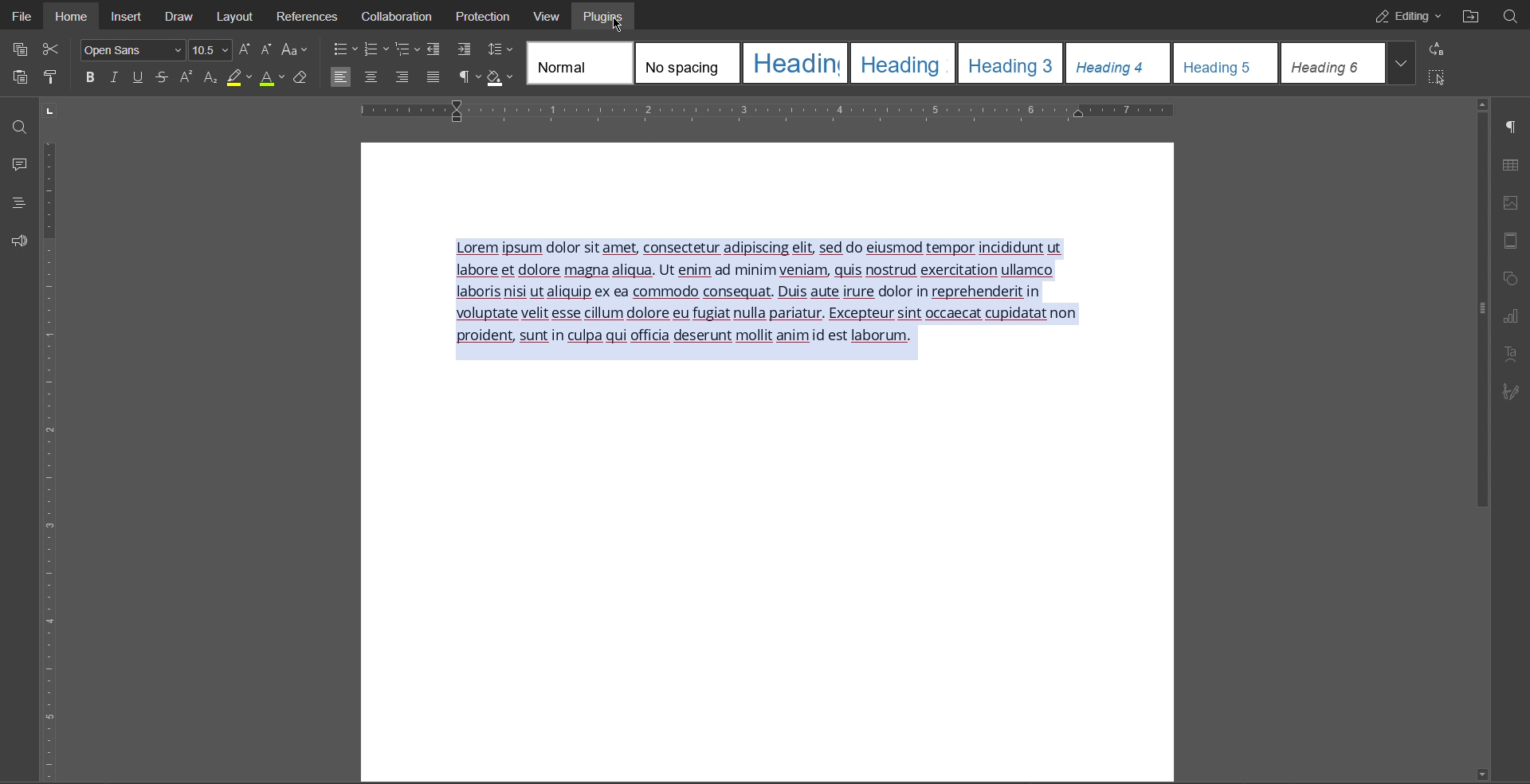  Describe the element at coordinates (312, 14) in the screenshot. I see `References` at that location.